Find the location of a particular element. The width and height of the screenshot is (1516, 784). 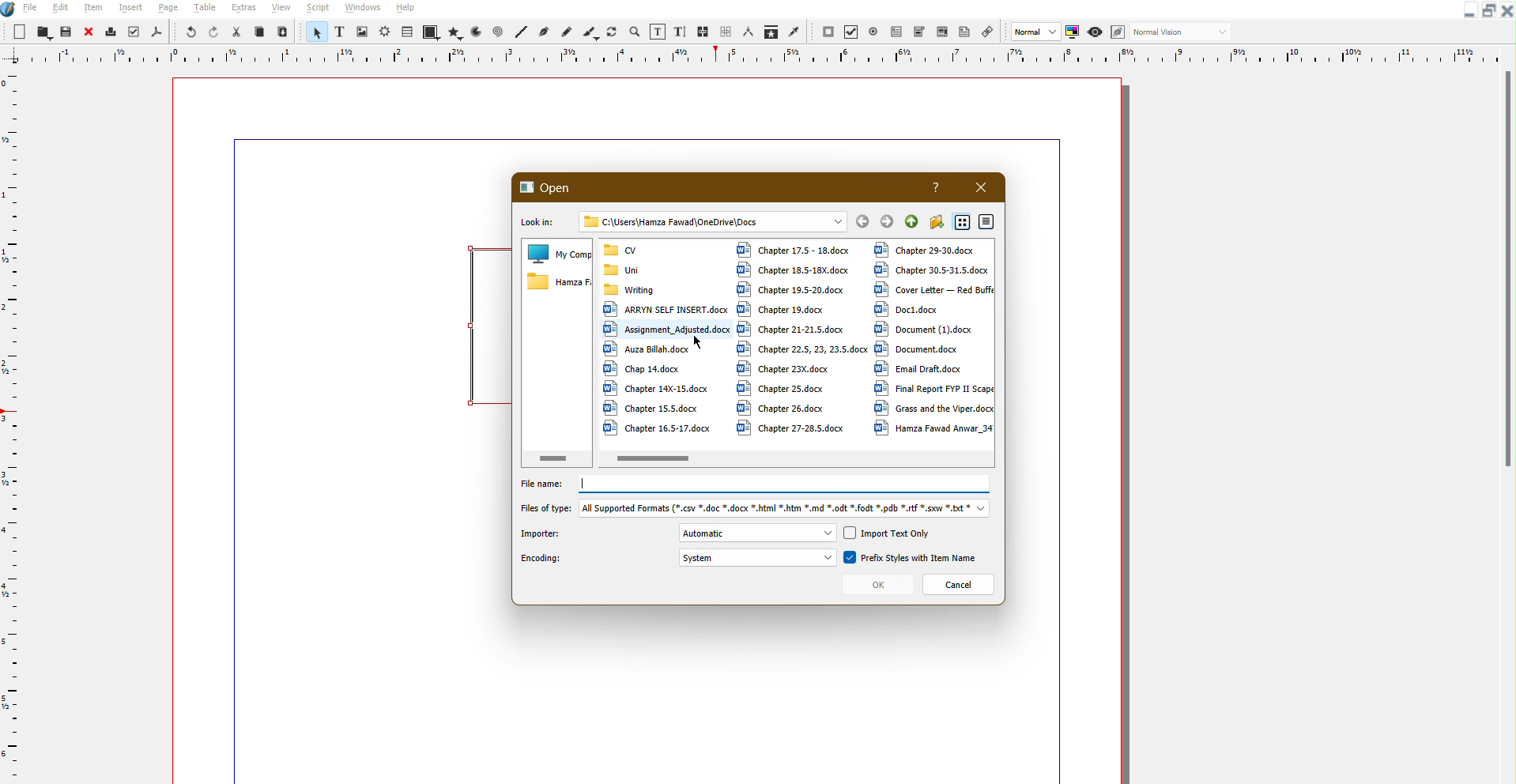

Refresh is located at coordinates (611, 31).